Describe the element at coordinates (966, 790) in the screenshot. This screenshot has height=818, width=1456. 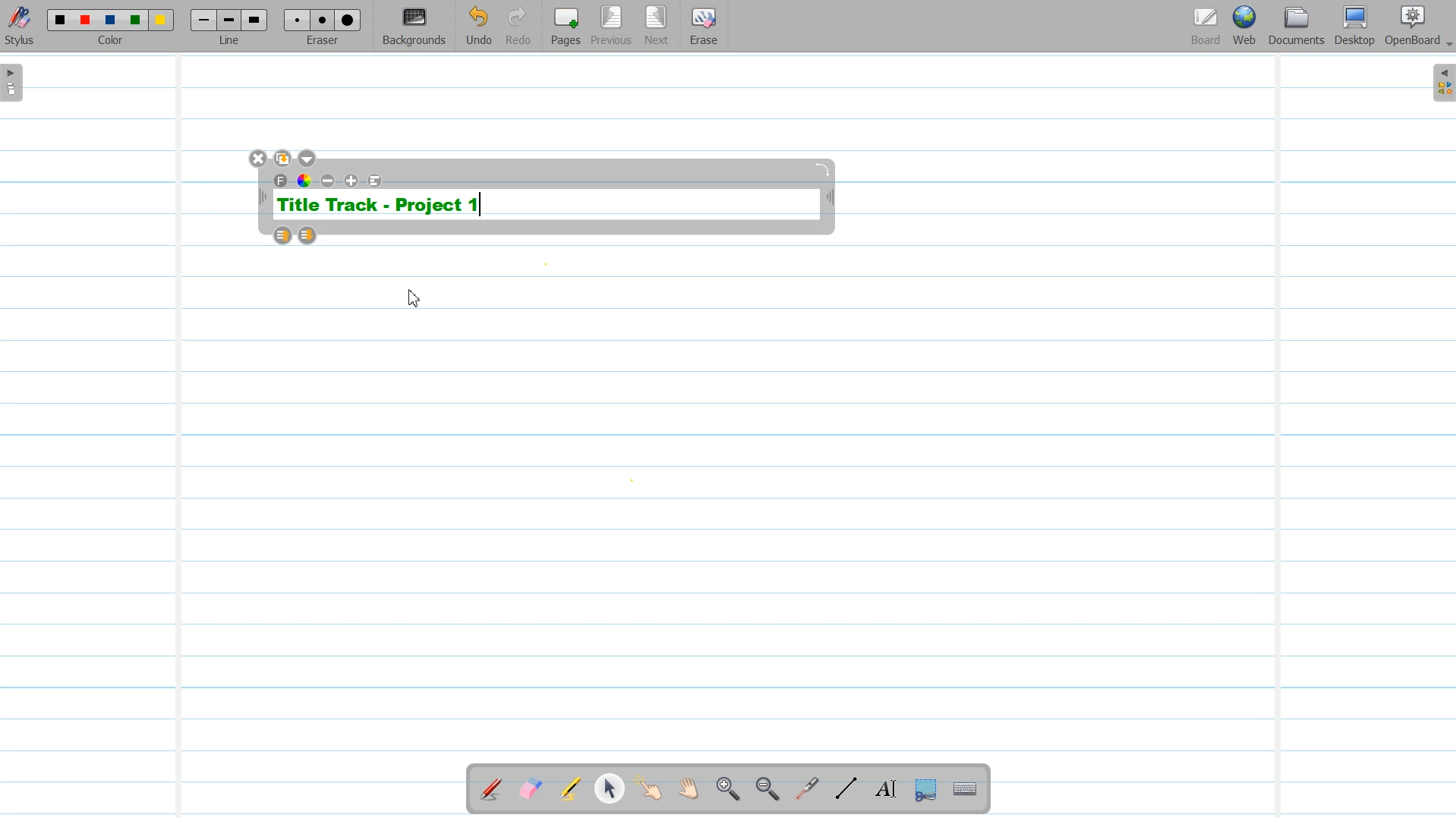
I see `Display virtual Keyboard` at that location.